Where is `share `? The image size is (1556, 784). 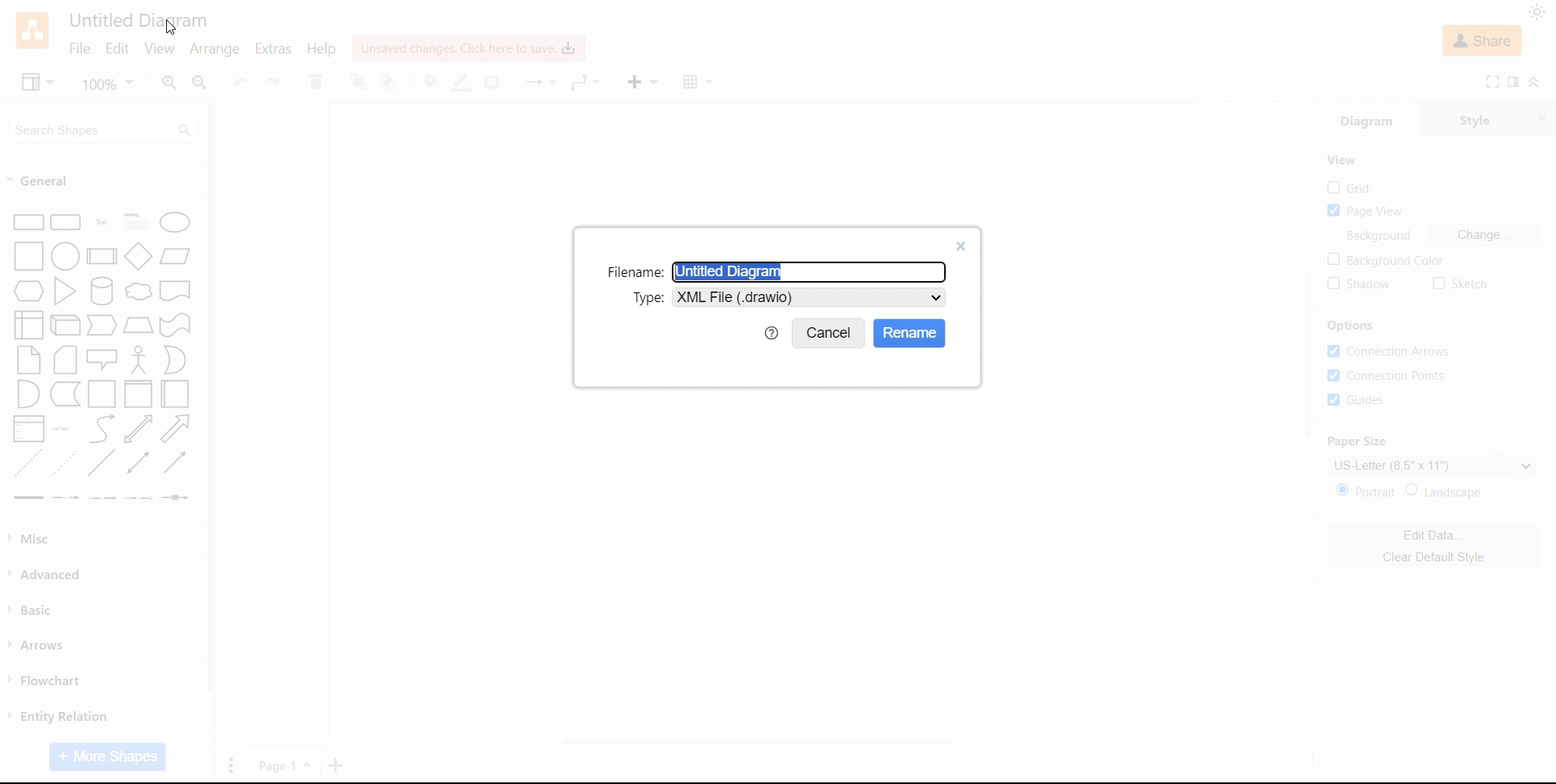 share  is located at coordinates (1483, 40).